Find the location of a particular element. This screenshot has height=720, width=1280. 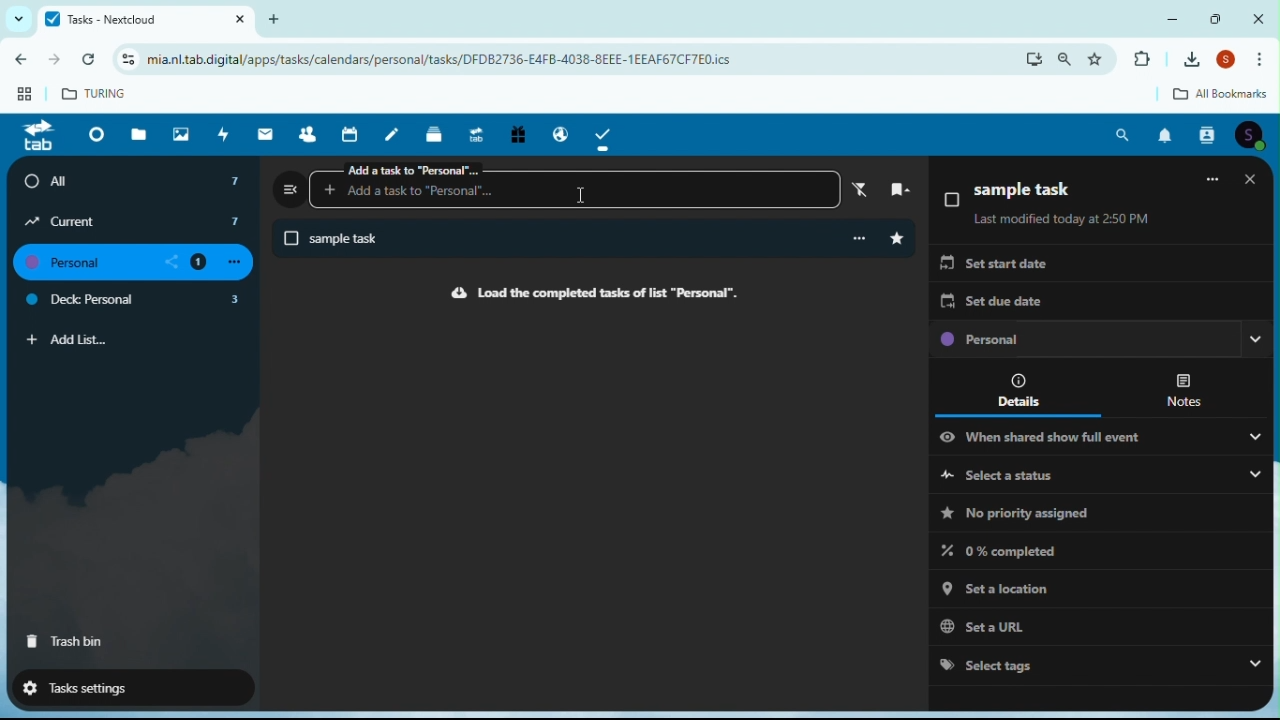

Toggle star tasks is located at coordinates (897, 239).